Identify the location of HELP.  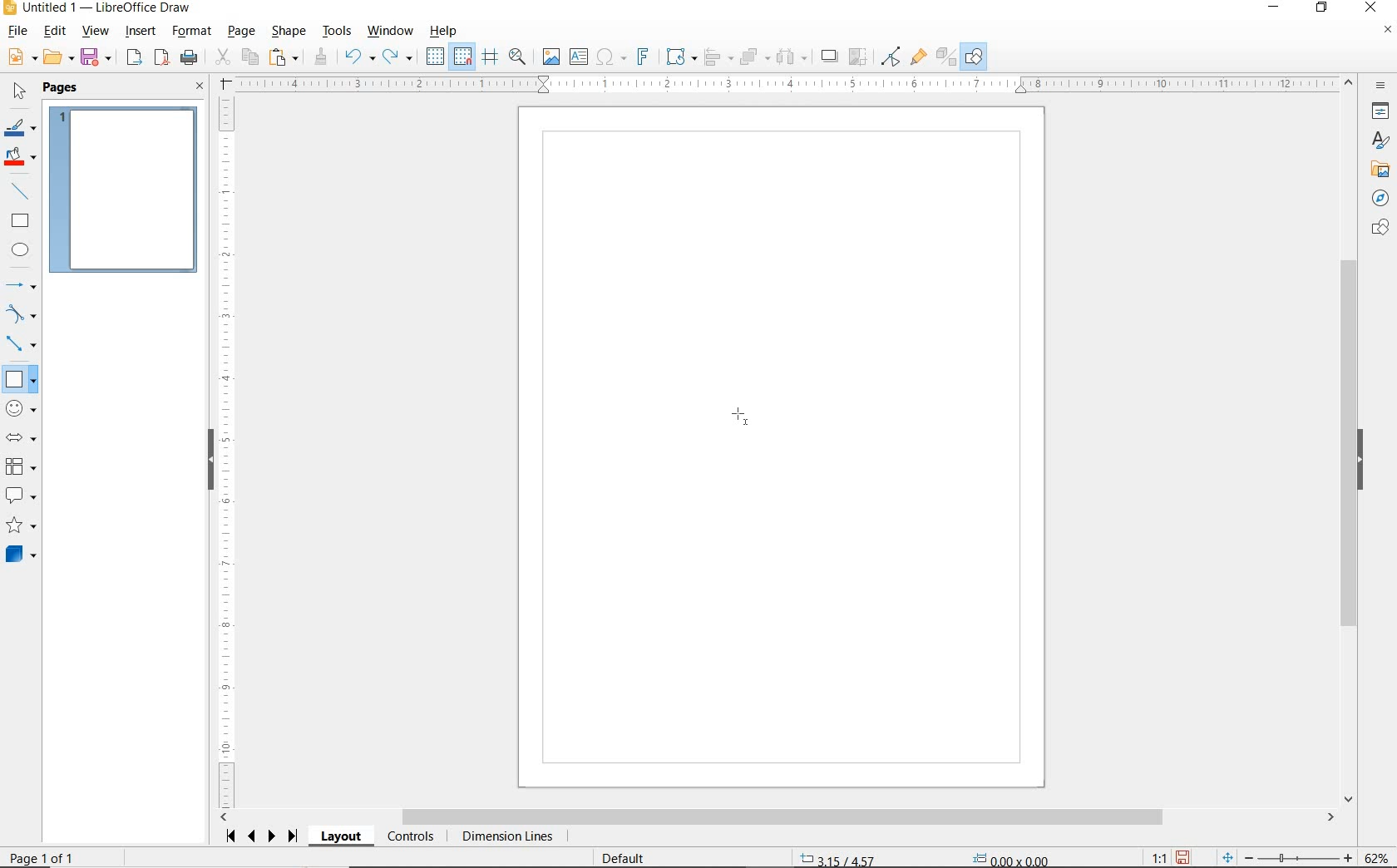
(447, 31).